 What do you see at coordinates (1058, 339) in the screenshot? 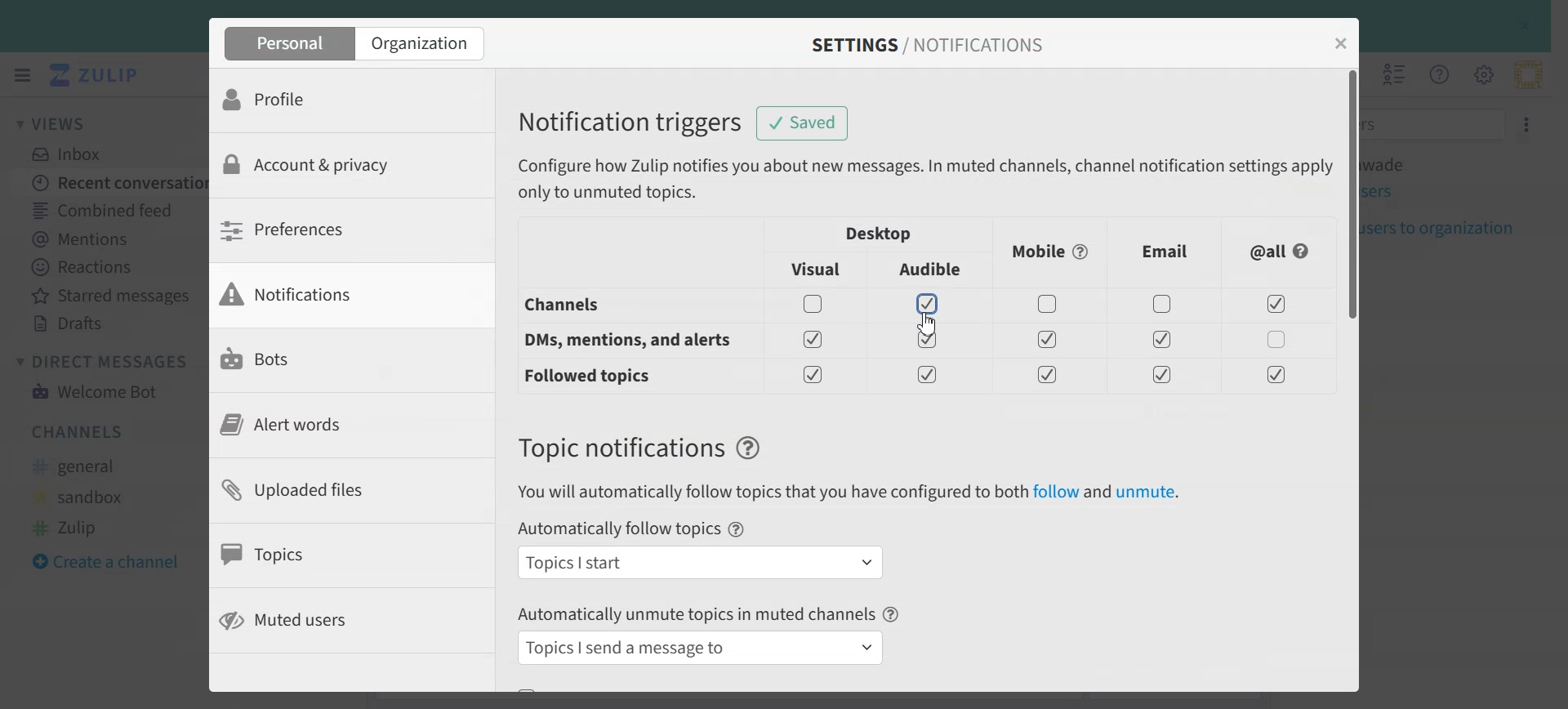
I see `Enable/ Disable toggles` at bounding box center [1058, 339].